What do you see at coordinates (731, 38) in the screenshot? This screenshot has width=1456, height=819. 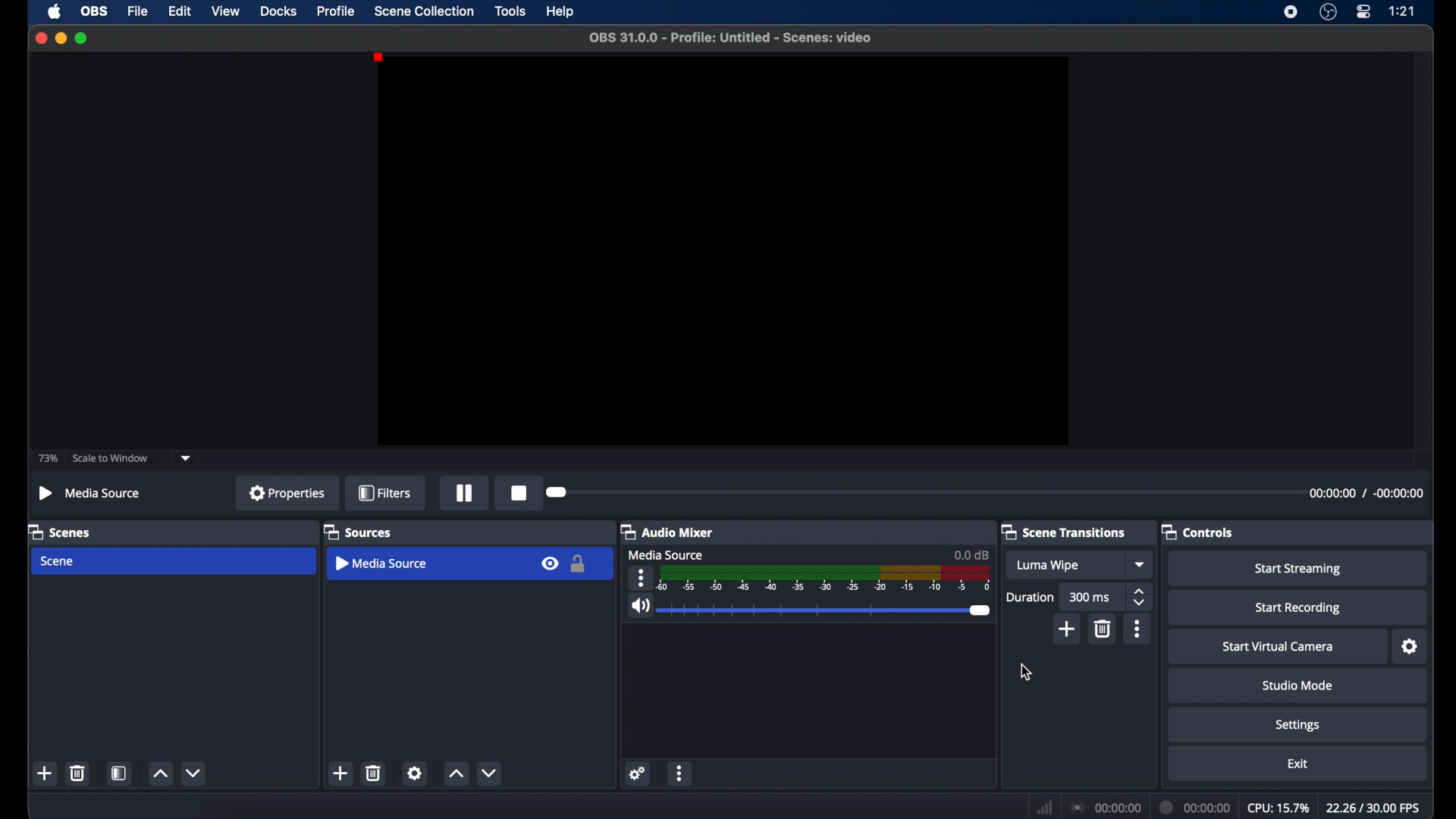 I see `file name` at bounding box center [731, 38].